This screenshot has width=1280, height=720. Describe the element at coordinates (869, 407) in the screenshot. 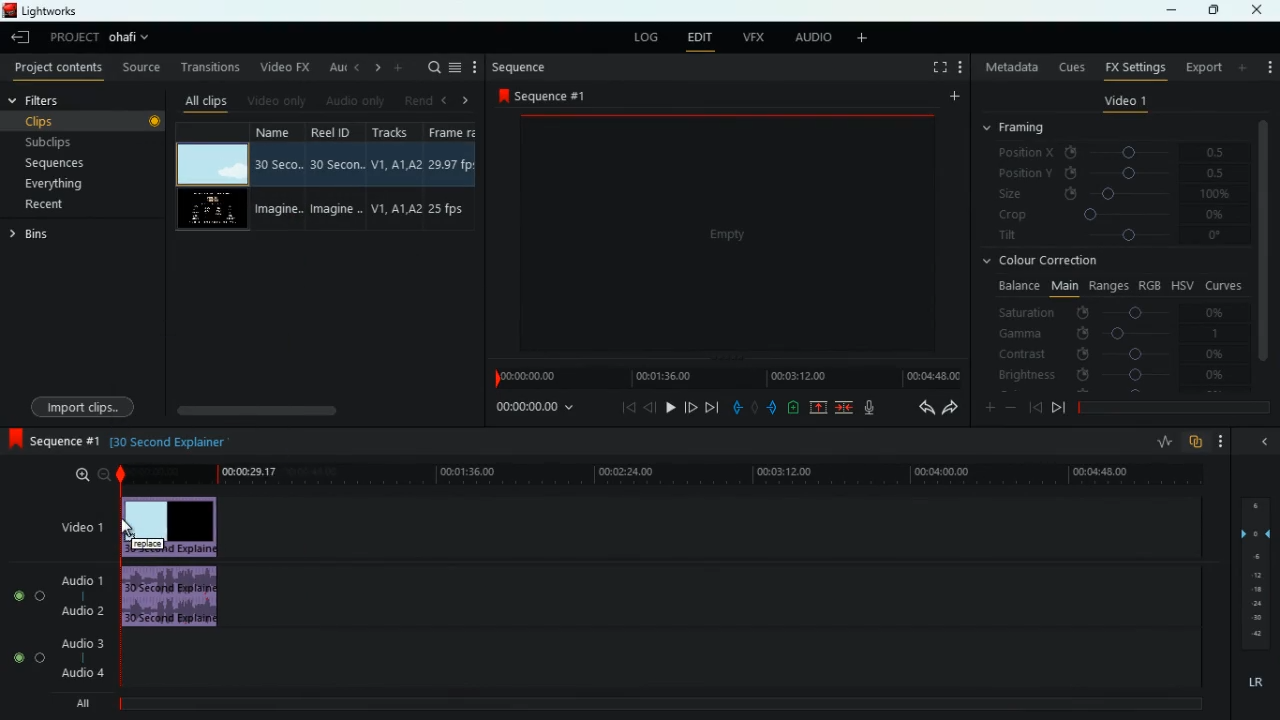

I see `mic` at that location.